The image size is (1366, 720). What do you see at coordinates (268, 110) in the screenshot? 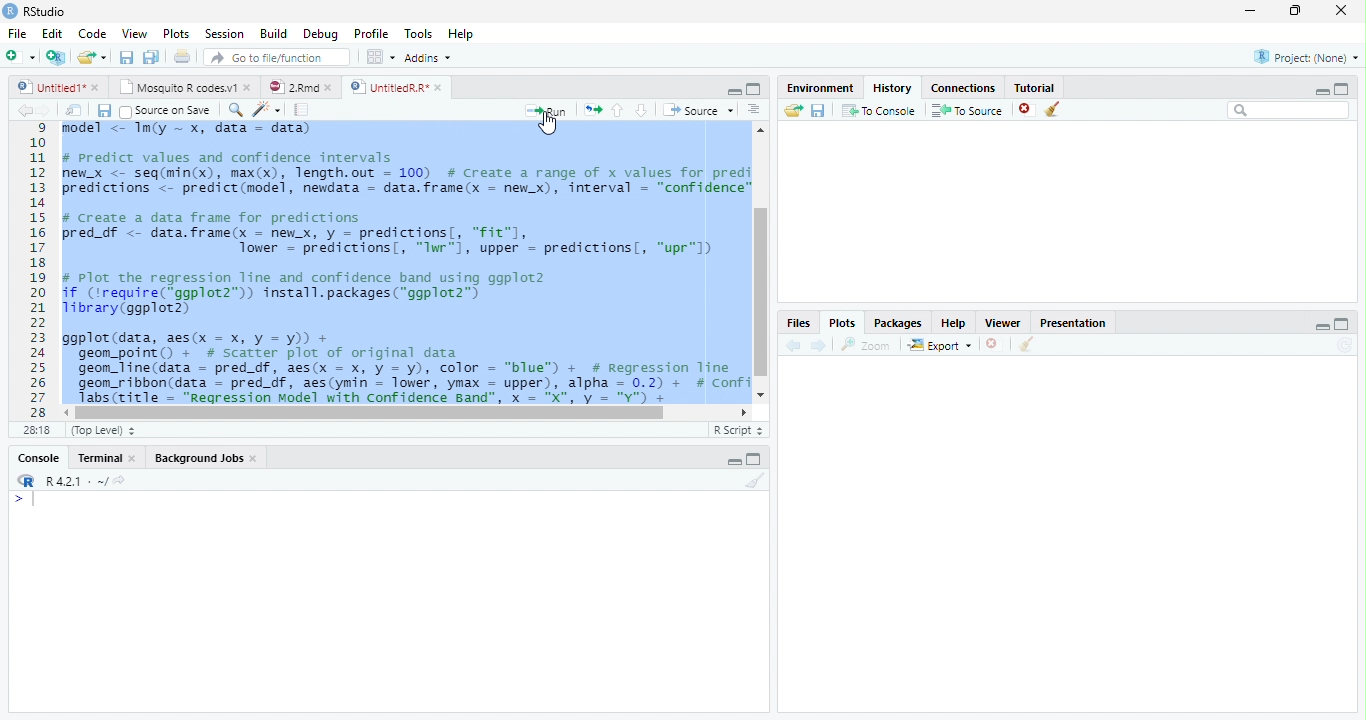
I see `Code ` at bounding box center [268, 110].